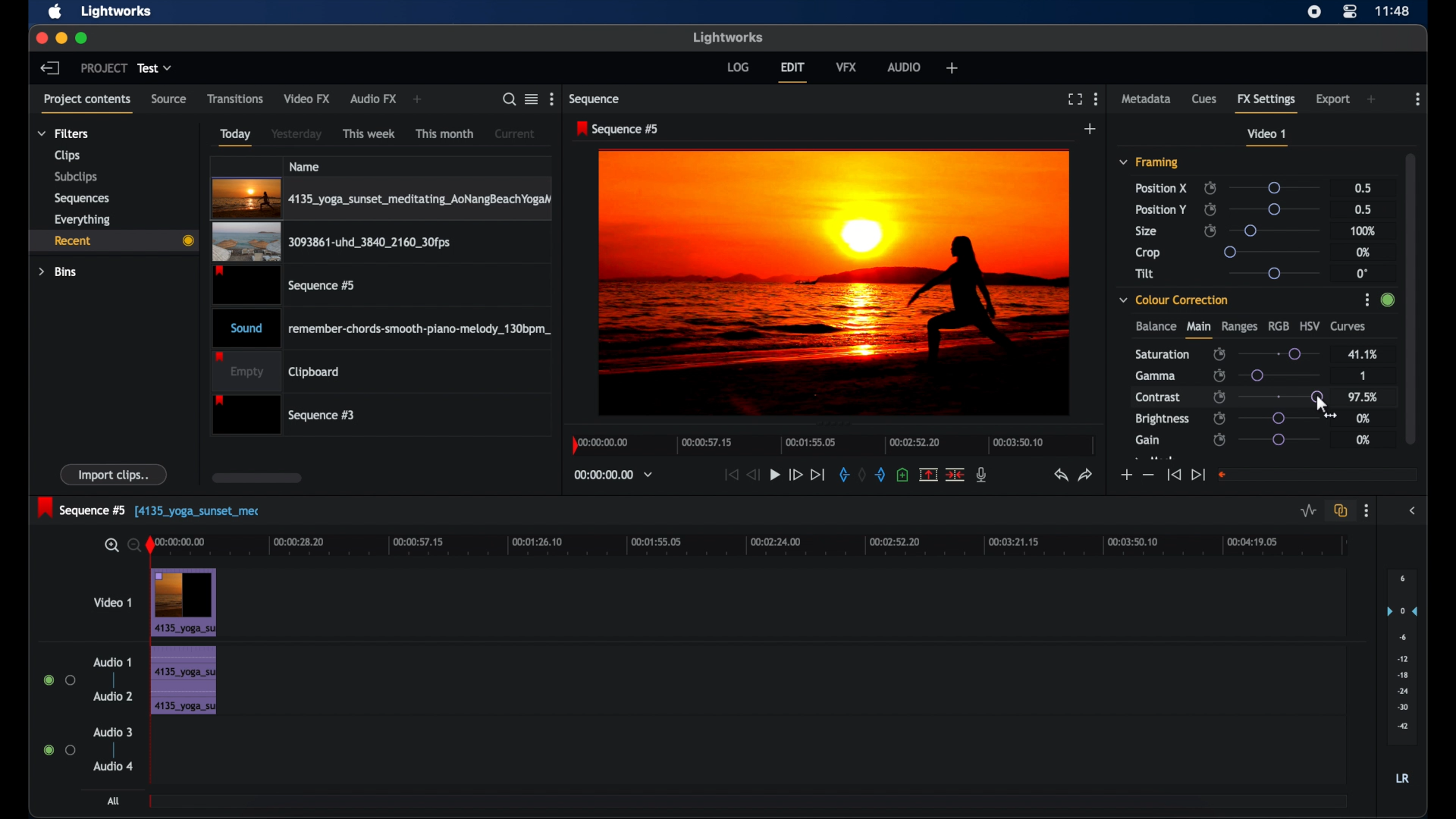  I want to click on clips, so click(65, 155).